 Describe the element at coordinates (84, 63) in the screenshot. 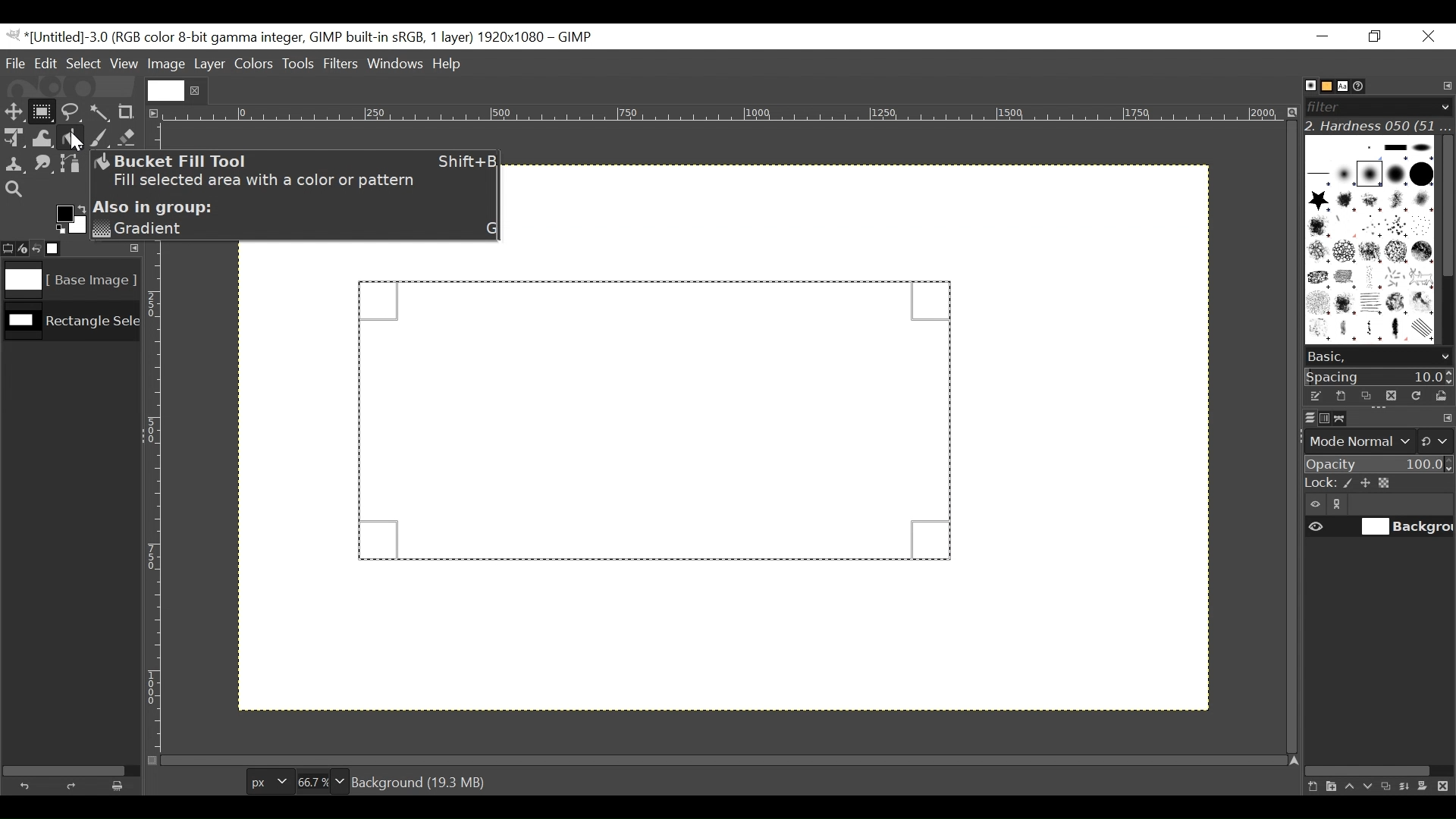

I see `Select` at that location.